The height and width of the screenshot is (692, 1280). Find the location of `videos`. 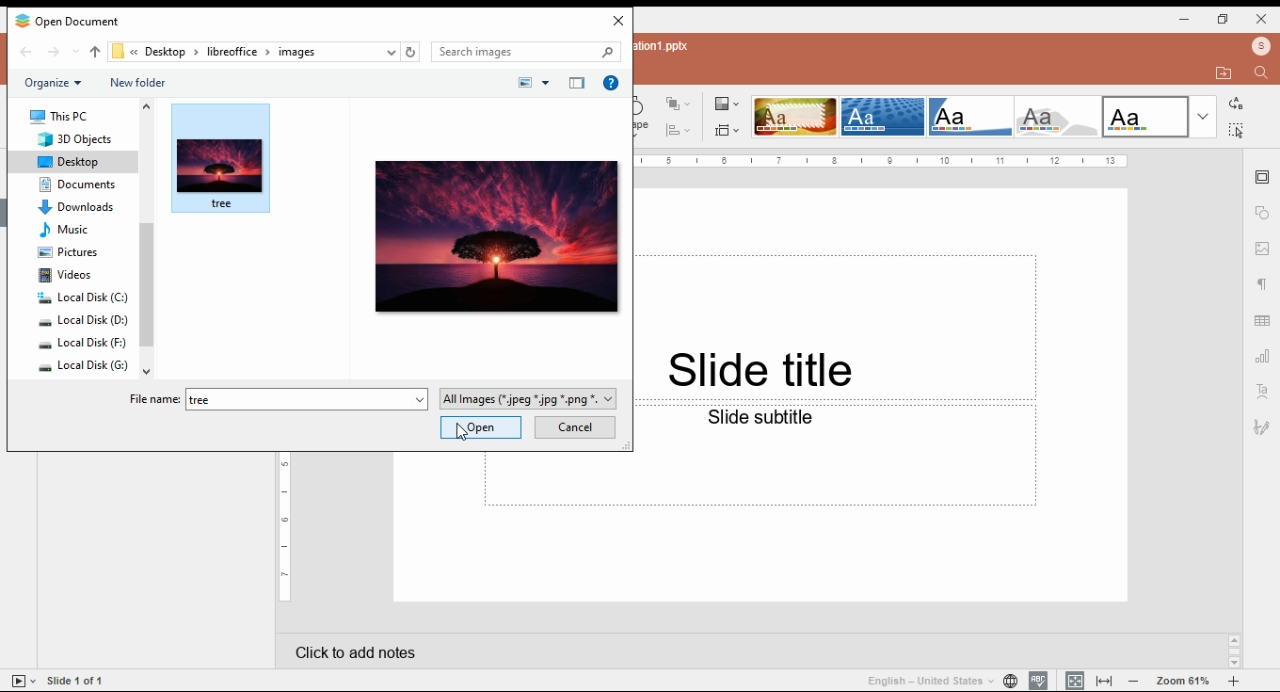

videos is located at coordinates (74, 274).